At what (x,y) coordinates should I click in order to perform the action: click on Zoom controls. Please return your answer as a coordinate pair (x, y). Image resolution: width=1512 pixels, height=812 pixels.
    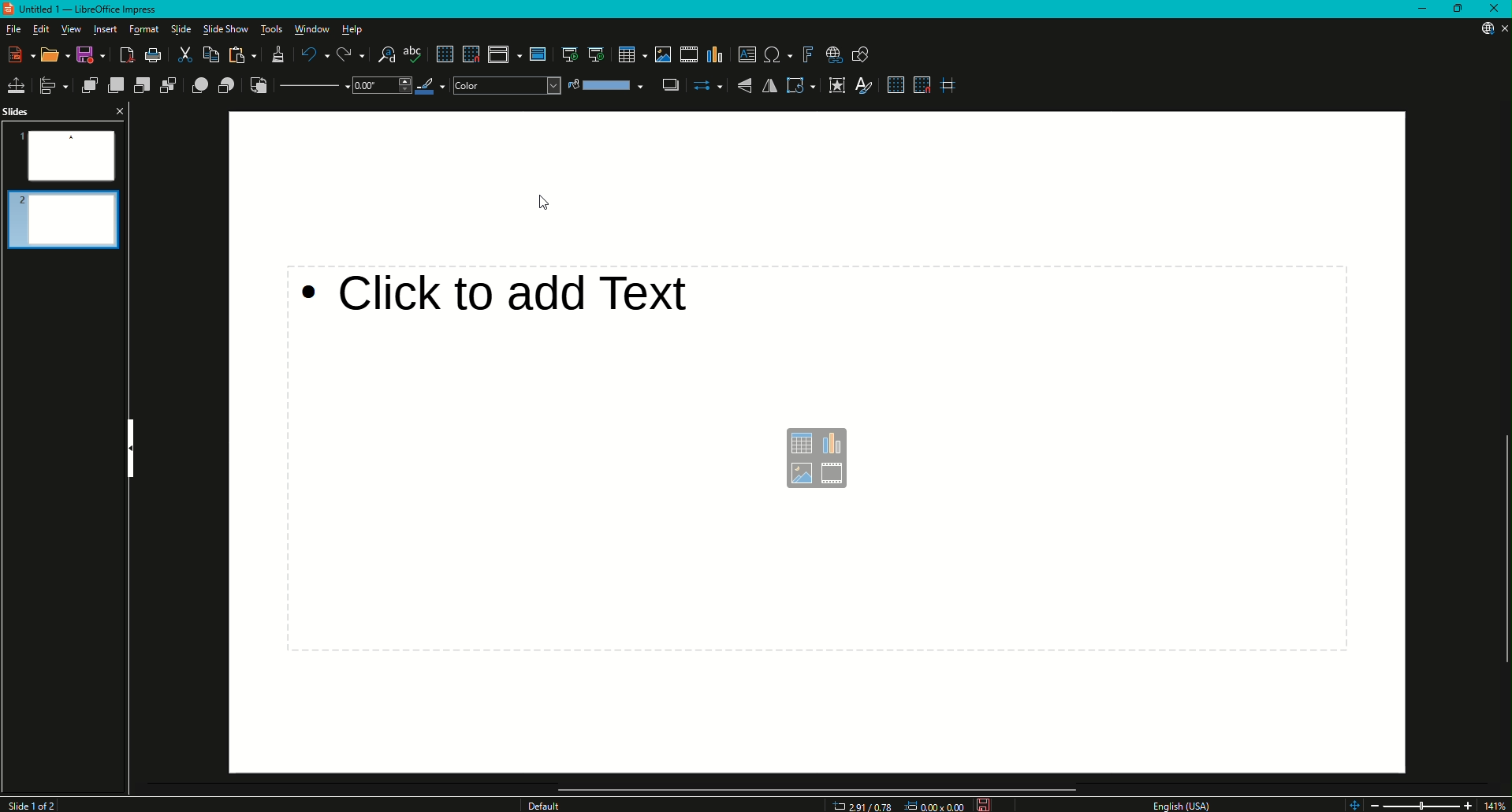
    Looking at the image, I should click on (1351, 802).